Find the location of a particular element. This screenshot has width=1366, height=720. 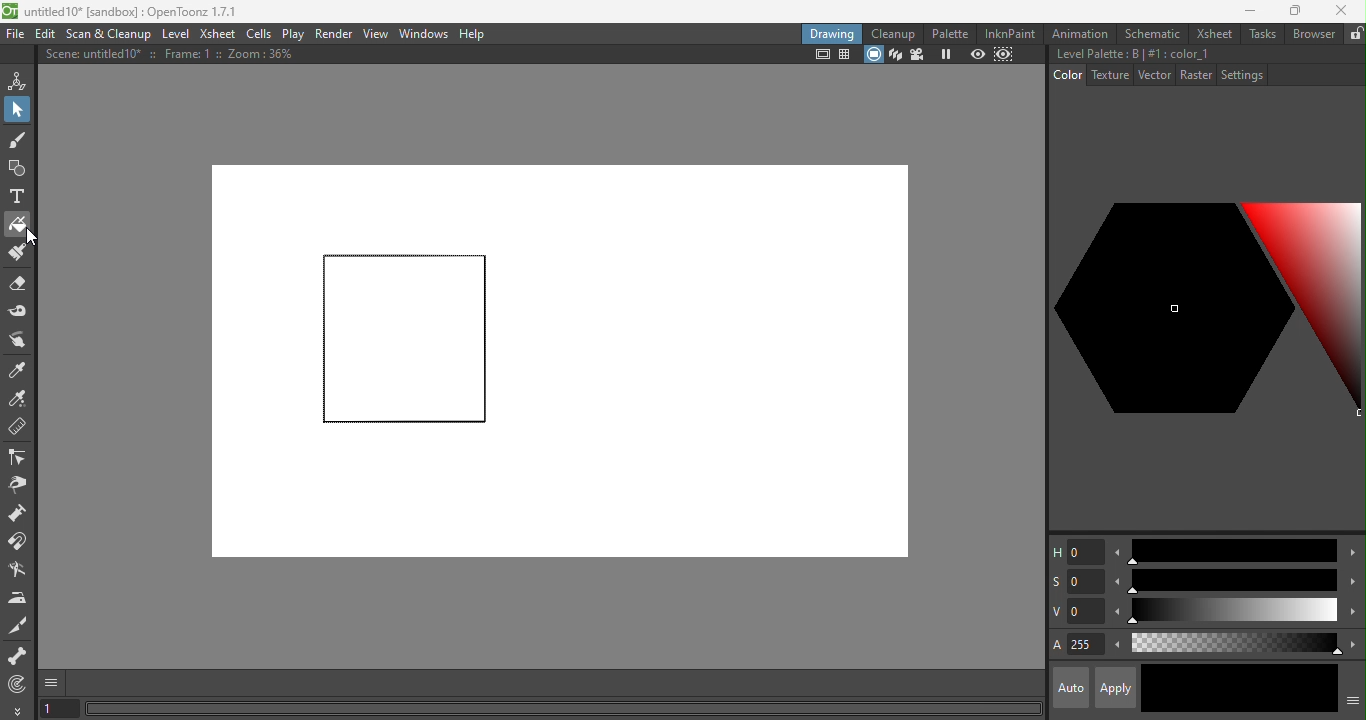

File is located at coordinates (16, 35).